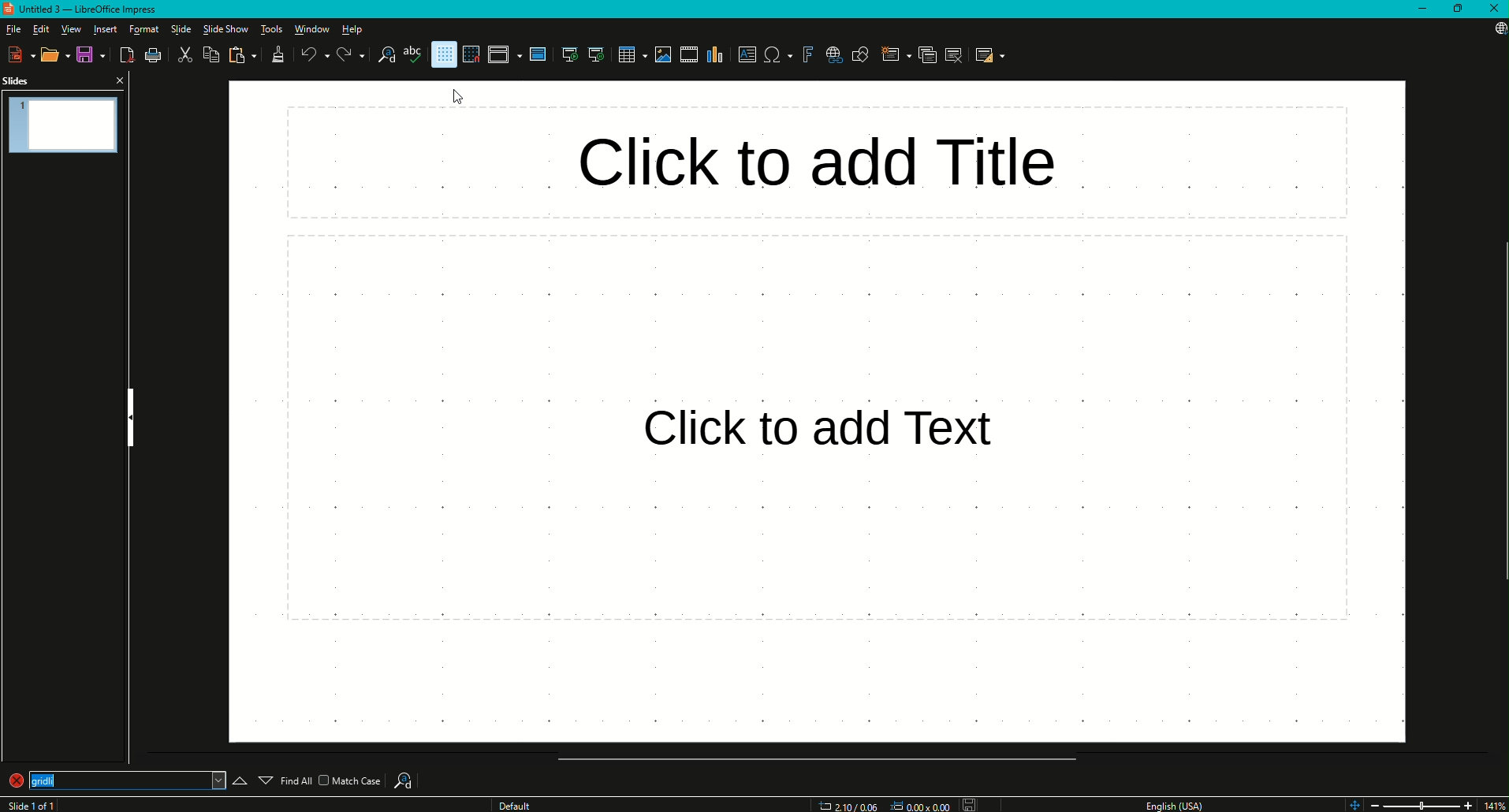 The height and width of the screenshot is (812, 1509). I want to click on Slide Show, so click(225, 30).